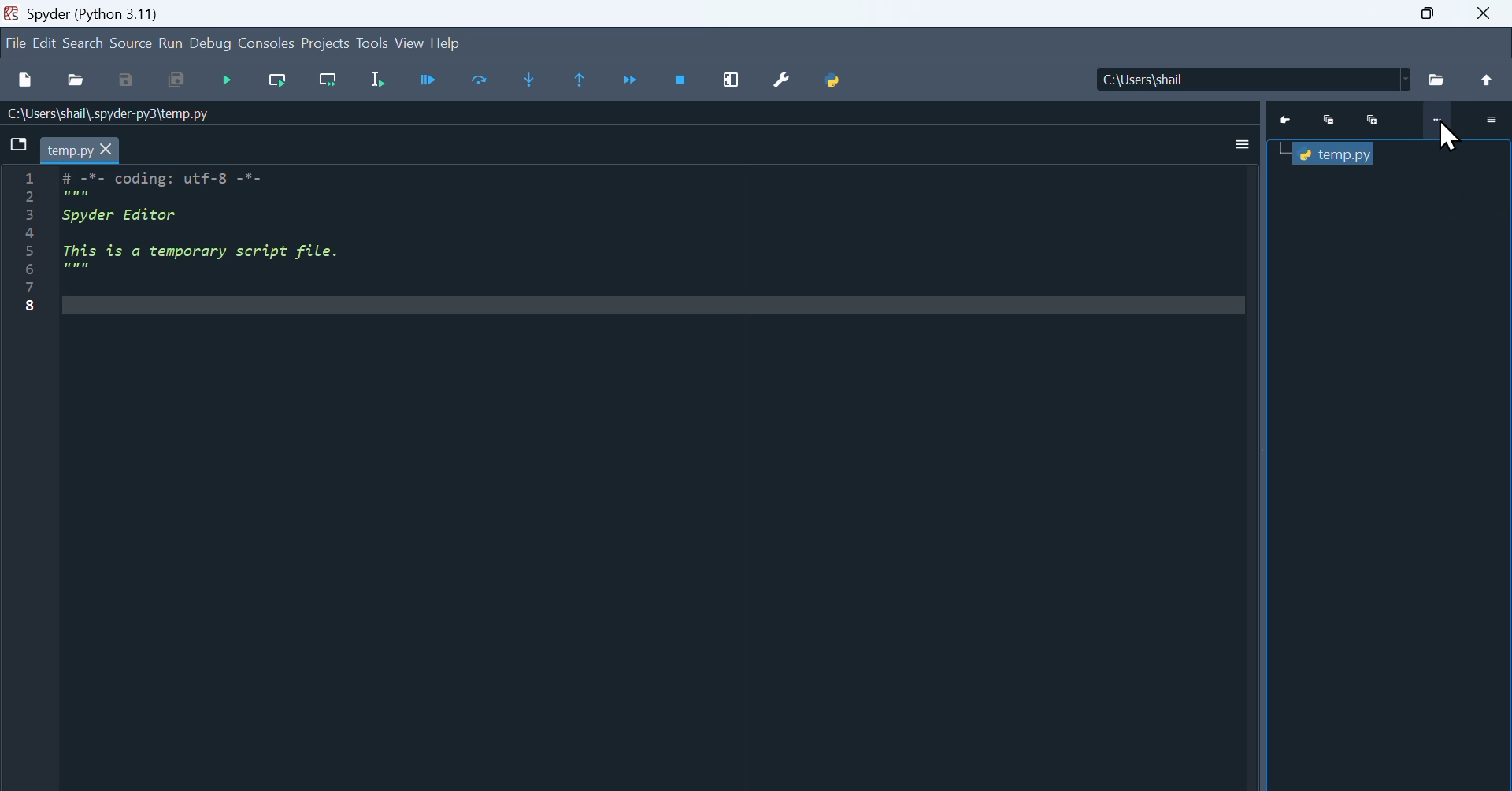  I want to click on Location of the file, so click(1258, 79).